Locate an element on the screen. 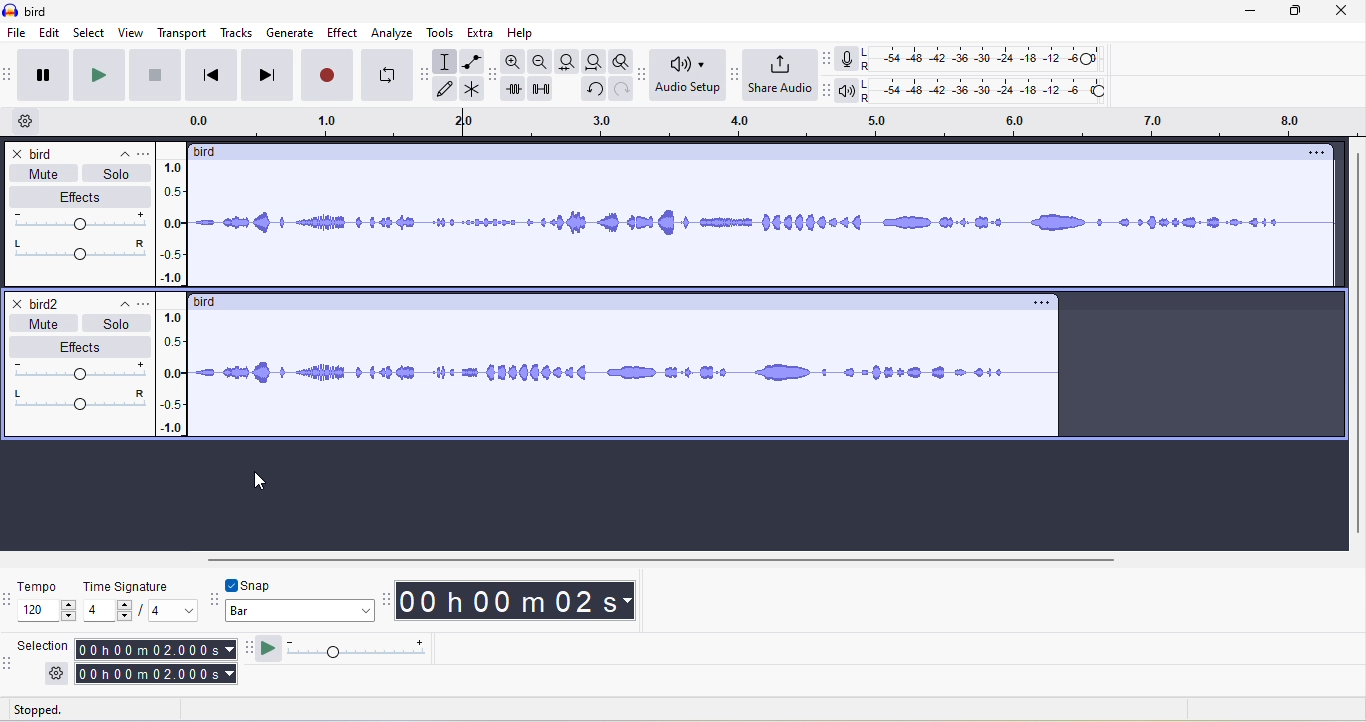  play is located at coordinates (96, 75).